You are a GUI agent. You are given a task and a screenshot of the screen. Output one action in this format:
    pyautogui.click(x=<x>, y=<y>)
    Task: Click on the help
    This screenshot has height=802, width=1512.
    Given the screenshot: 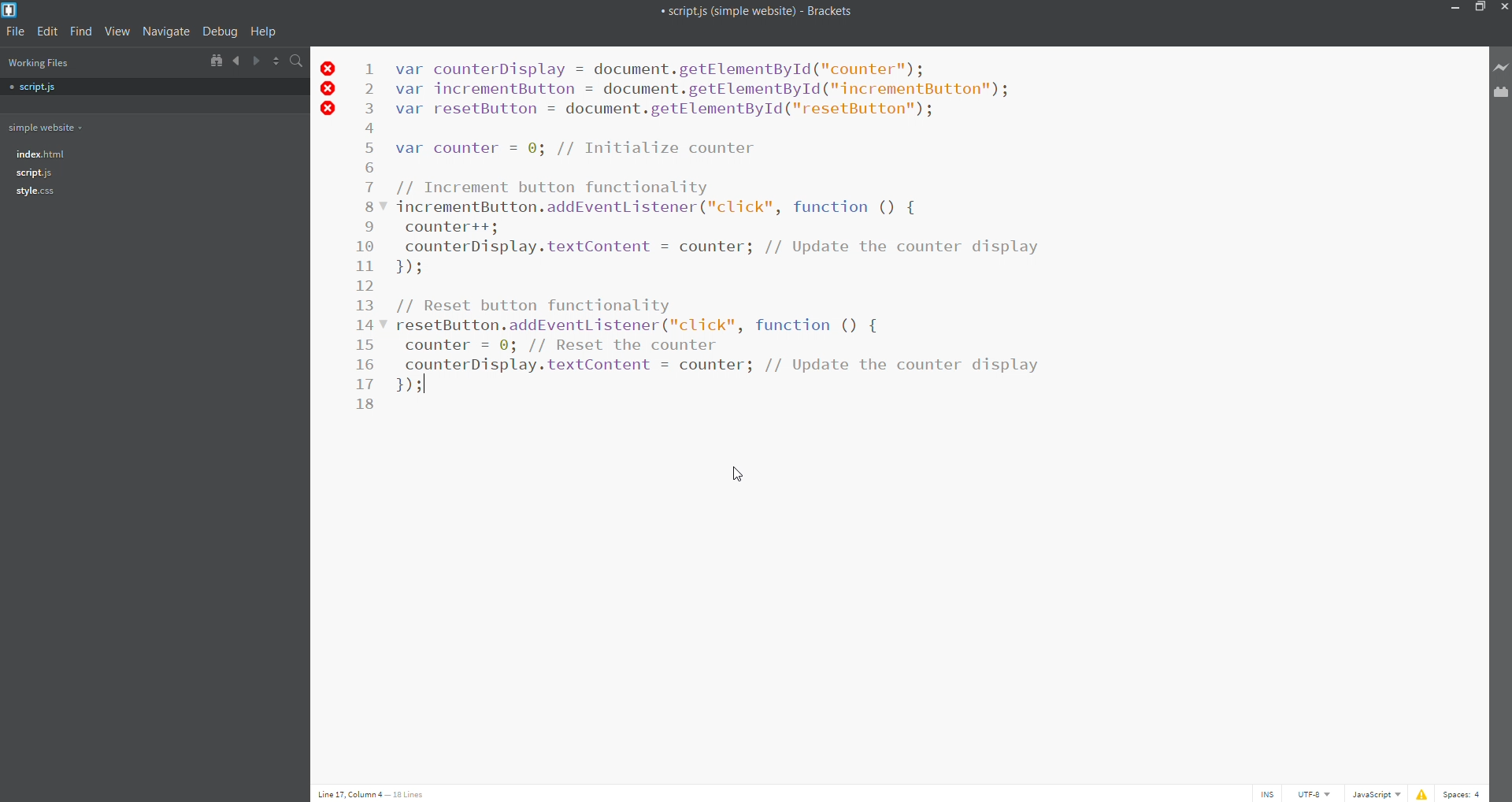 What is the action you would take?
    pyautogui.click(x=261, y=32)
    